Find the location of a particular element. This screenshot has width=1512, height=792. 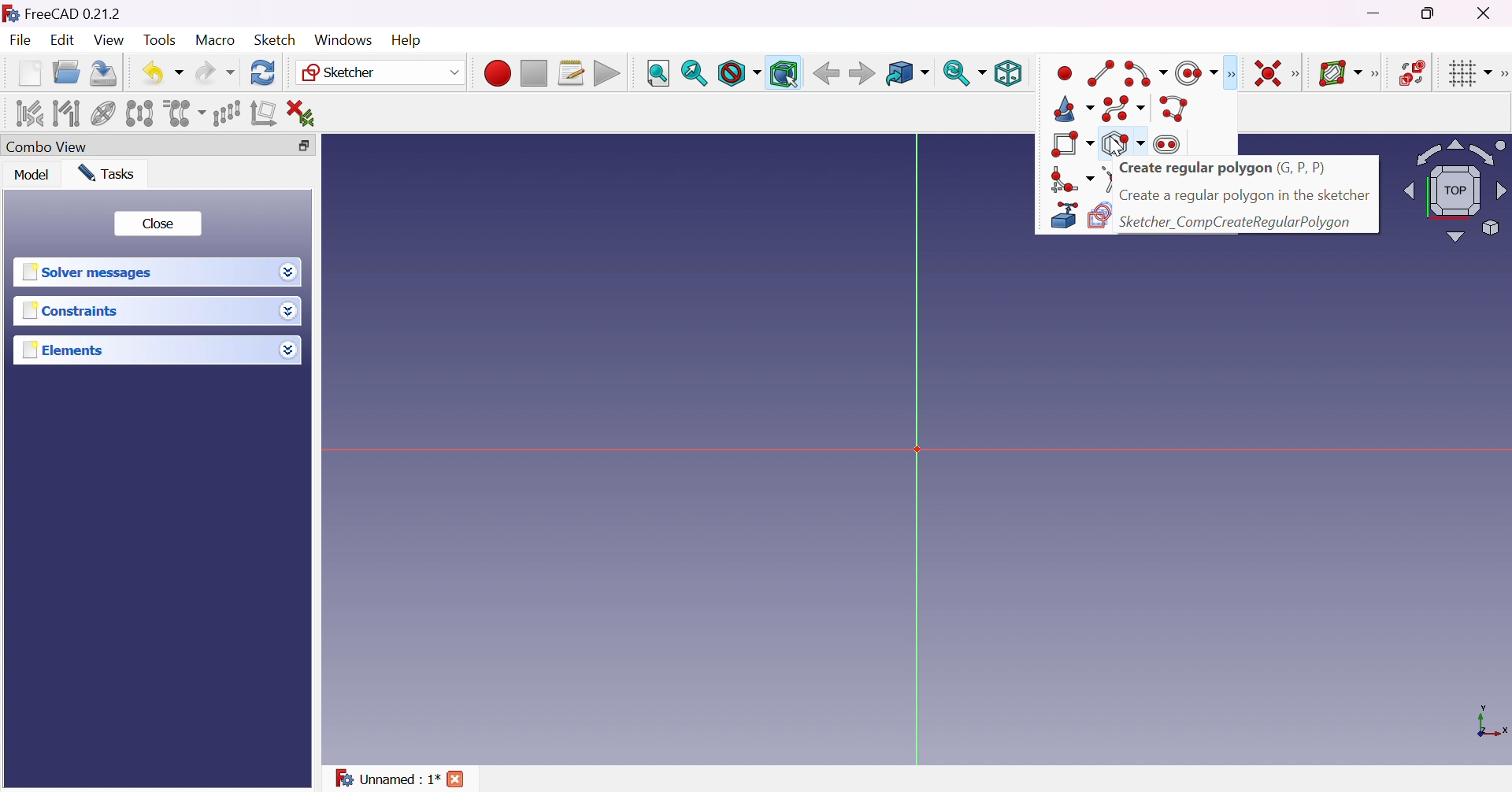

Macro recording... is located at coordinates (497, 73).